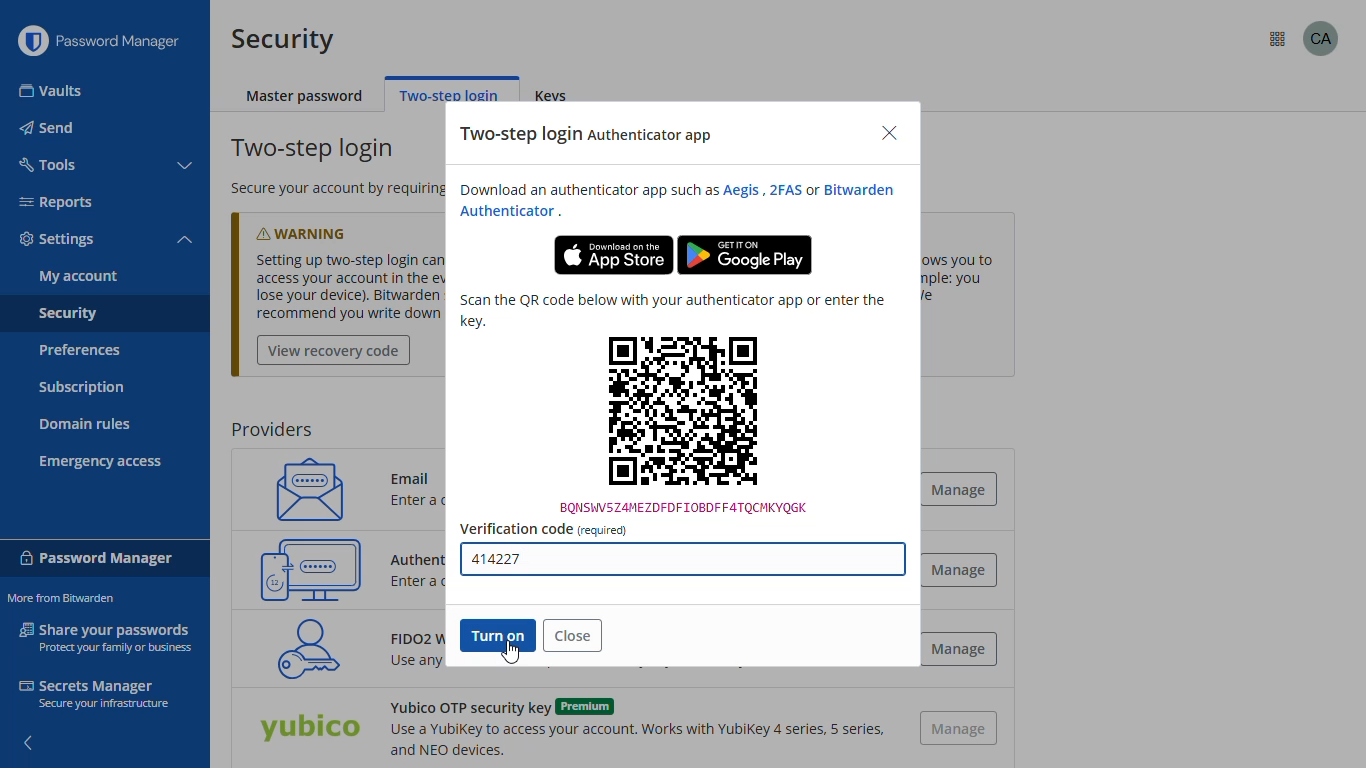  What do you see at coordinates (52, 91) in the screenshot?
I see `vaults` at bounding box center [52, 91].